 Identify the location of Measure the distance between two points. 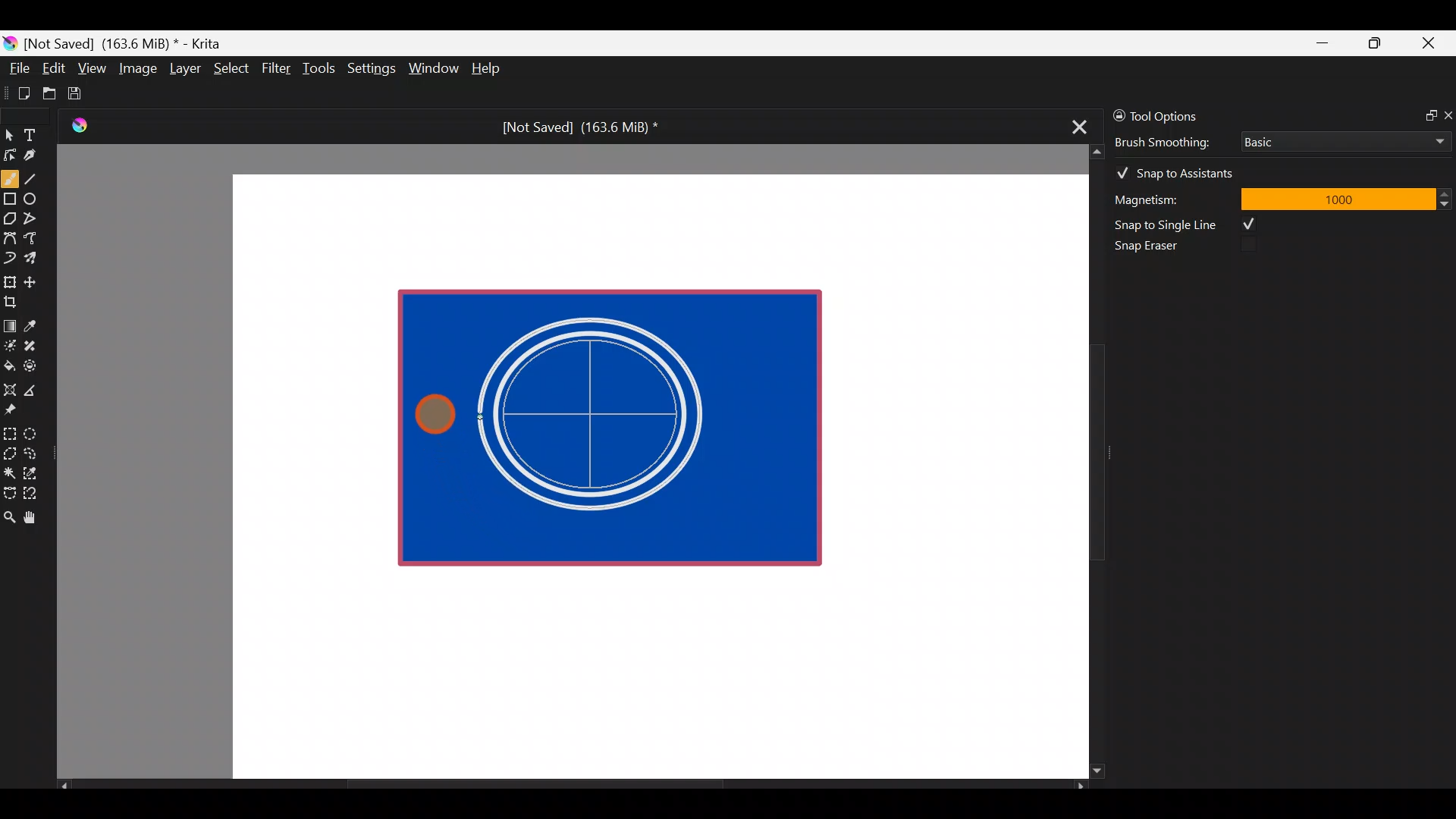
(35, 385).